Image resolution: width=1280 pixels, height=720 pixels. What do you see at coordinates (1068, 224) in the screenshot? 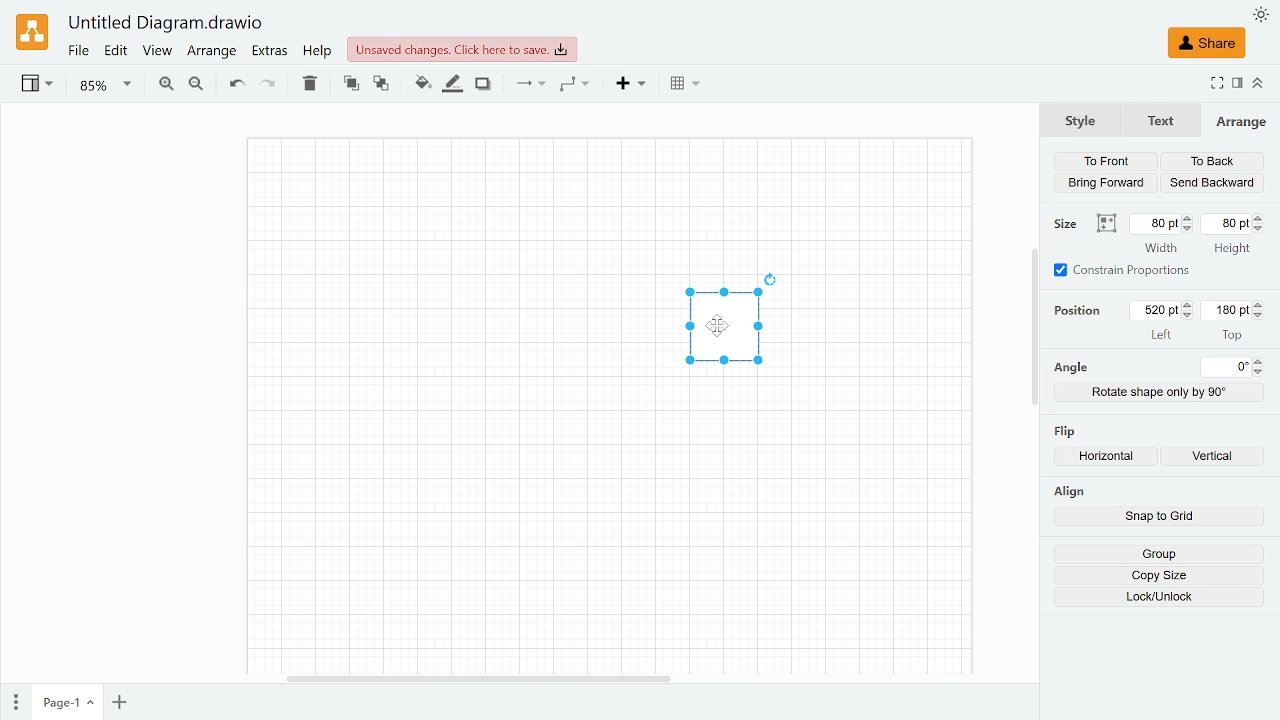
I see `size` at bounding box center [1068, 224].